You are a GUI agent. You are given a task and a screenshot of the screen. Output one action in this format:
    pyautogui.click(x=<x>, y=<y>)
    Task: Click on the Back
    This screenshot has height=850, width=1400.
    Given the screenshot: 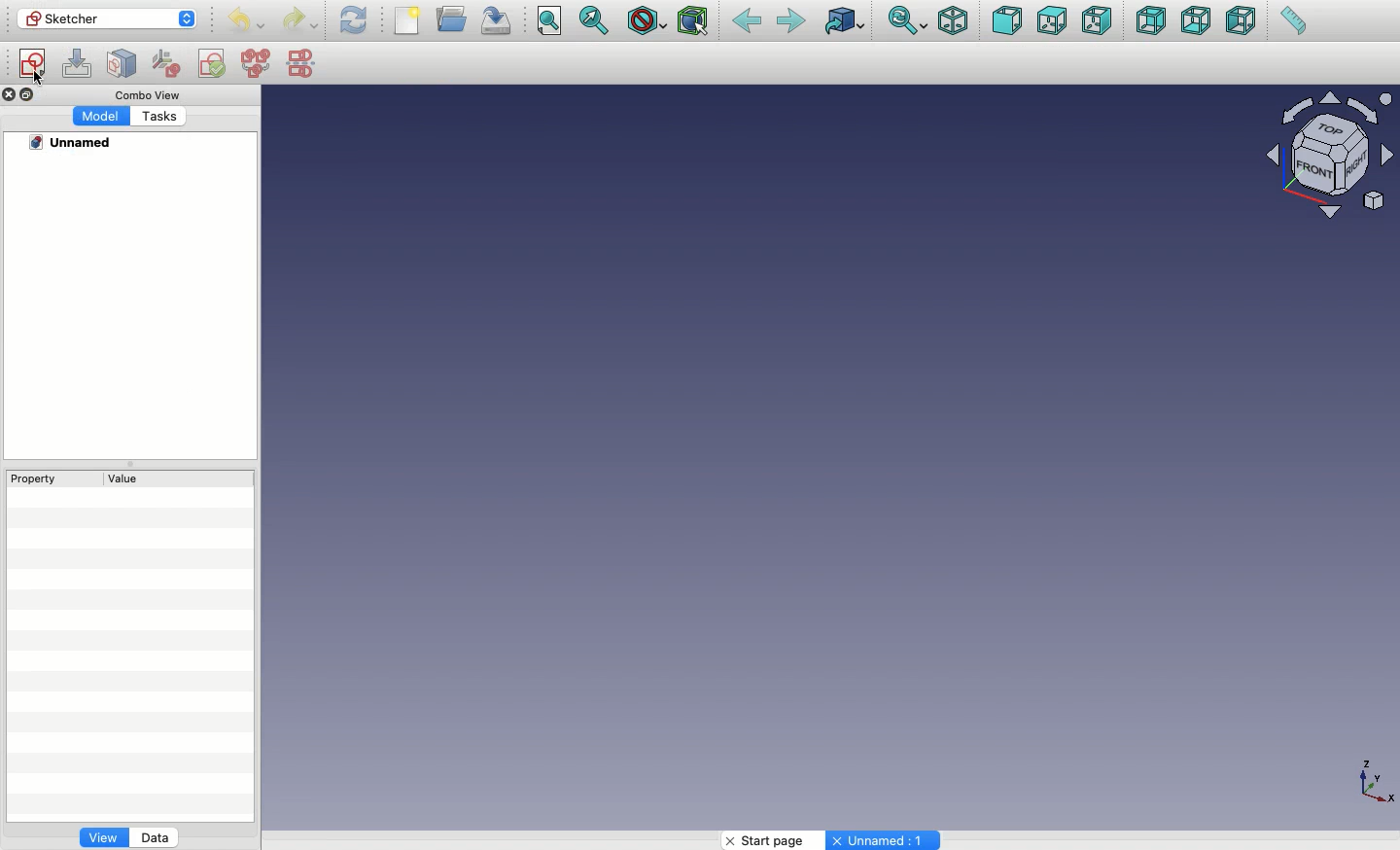 What is the action you would take?
    pyautogui.click(x=746, y=22)
    